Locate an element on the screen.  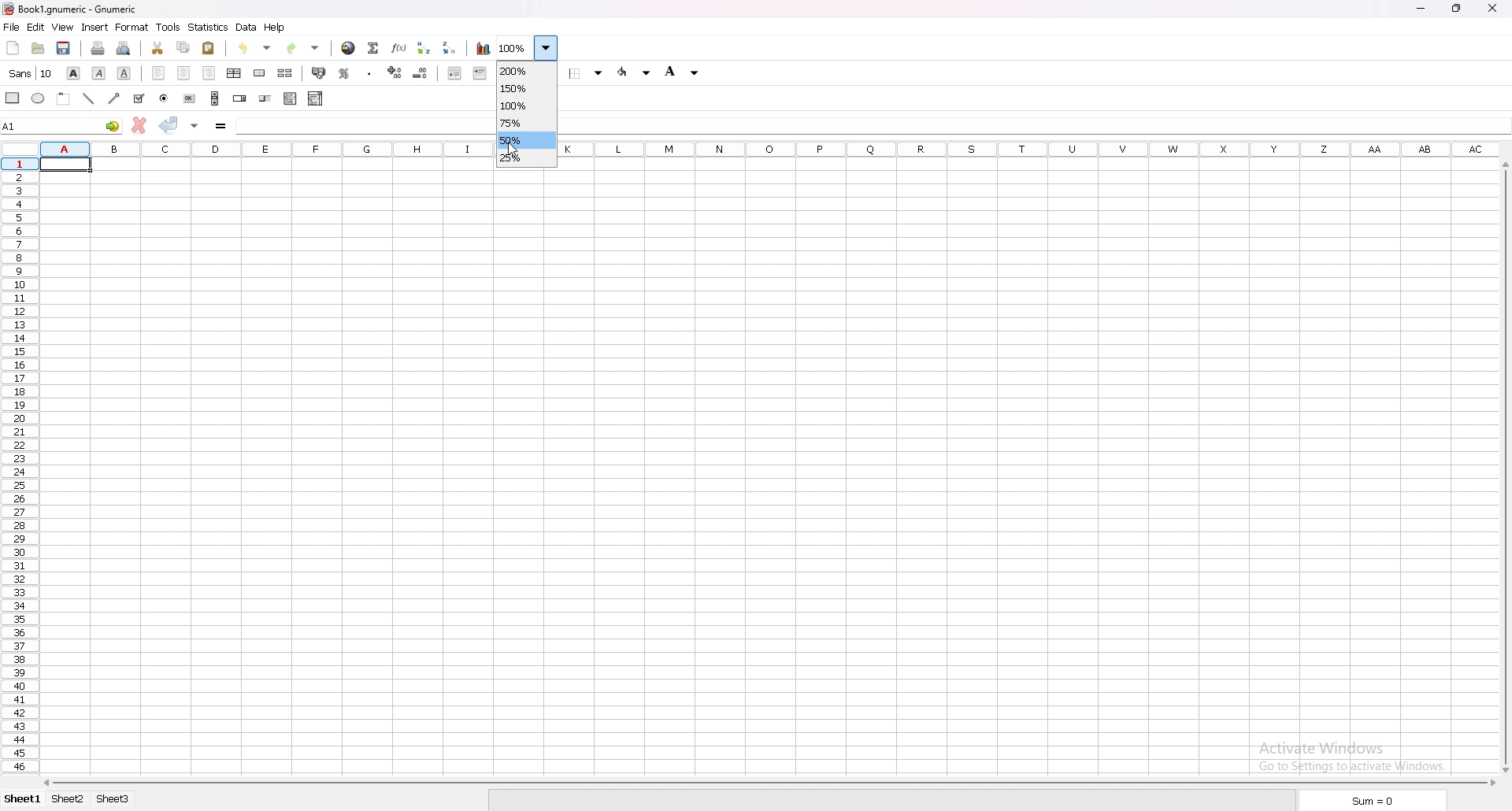
split merged cells is located at coordinates (285, 72).